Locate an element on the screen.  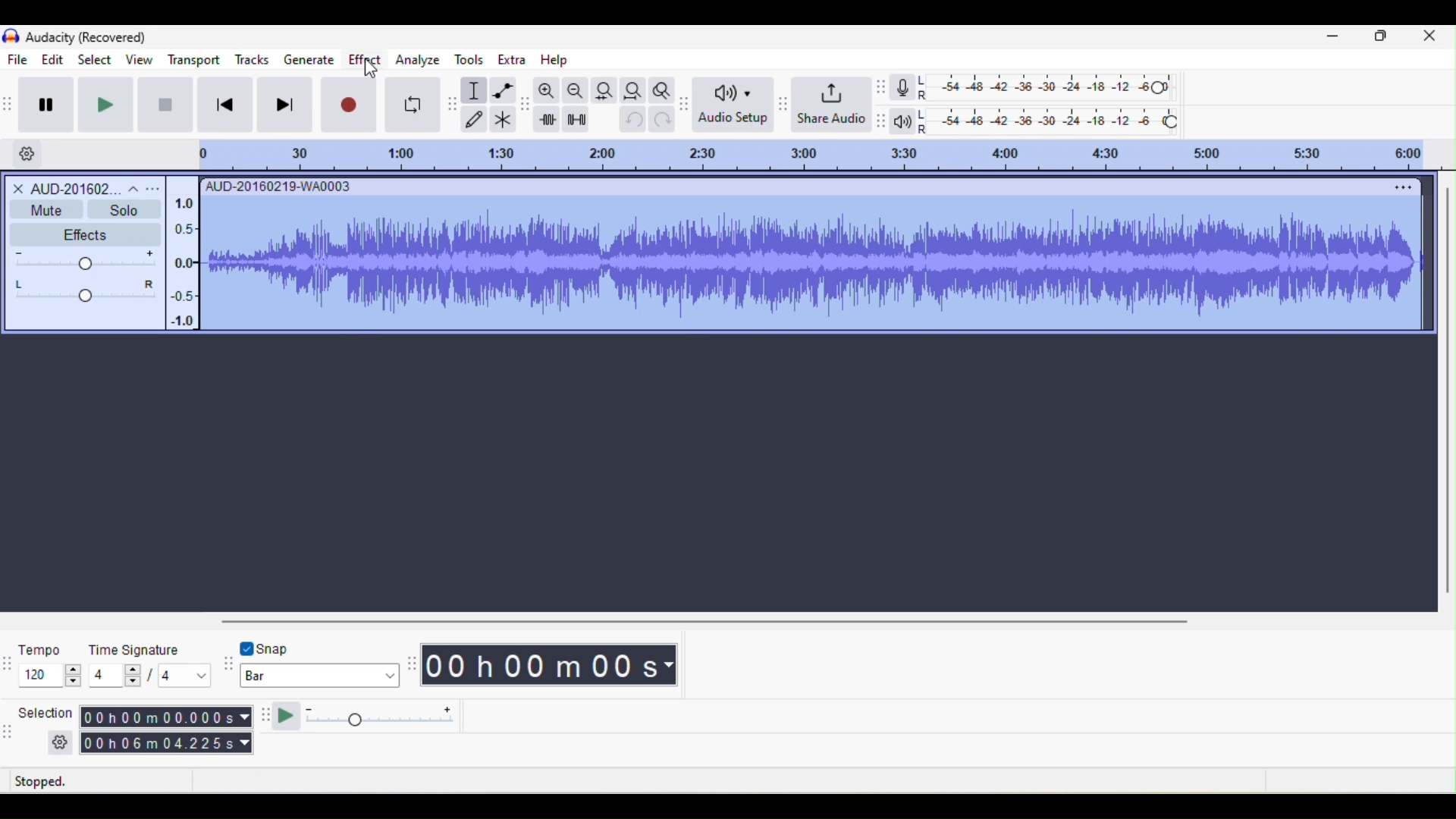
Audacity (Recovered) is located at coordinates (86, 37).